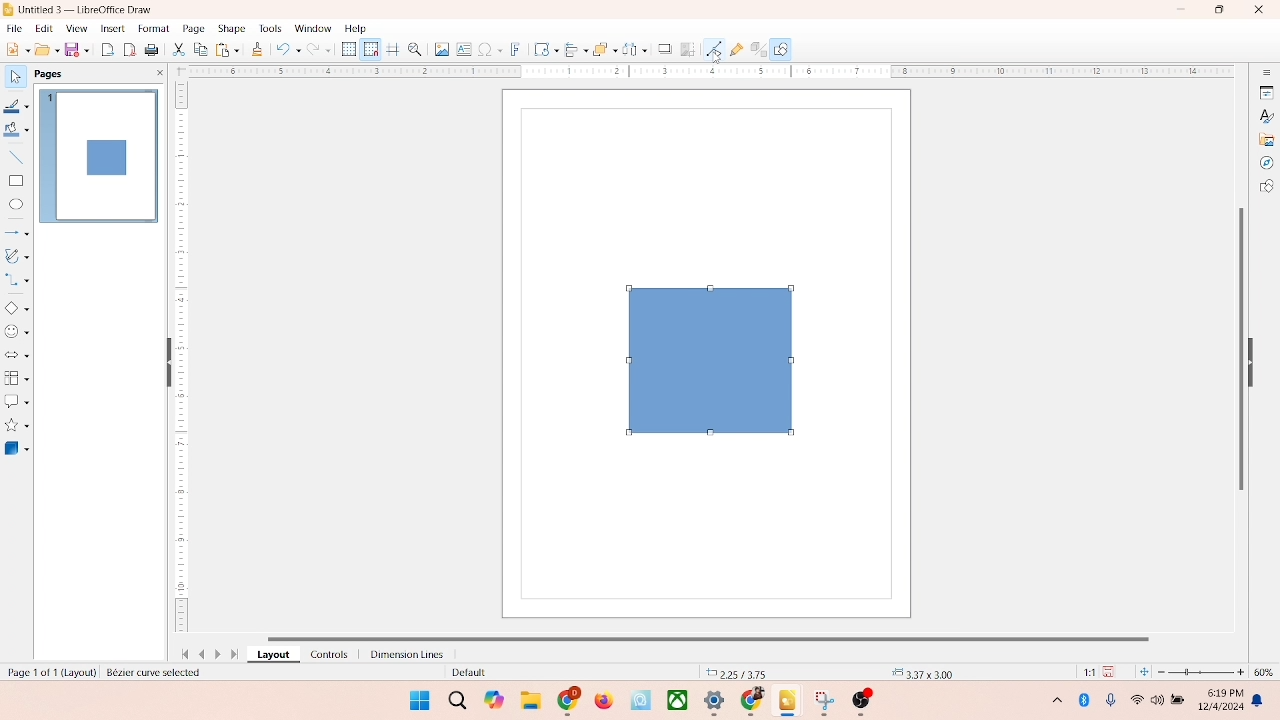  I want to click on layout, so click(272, 655).